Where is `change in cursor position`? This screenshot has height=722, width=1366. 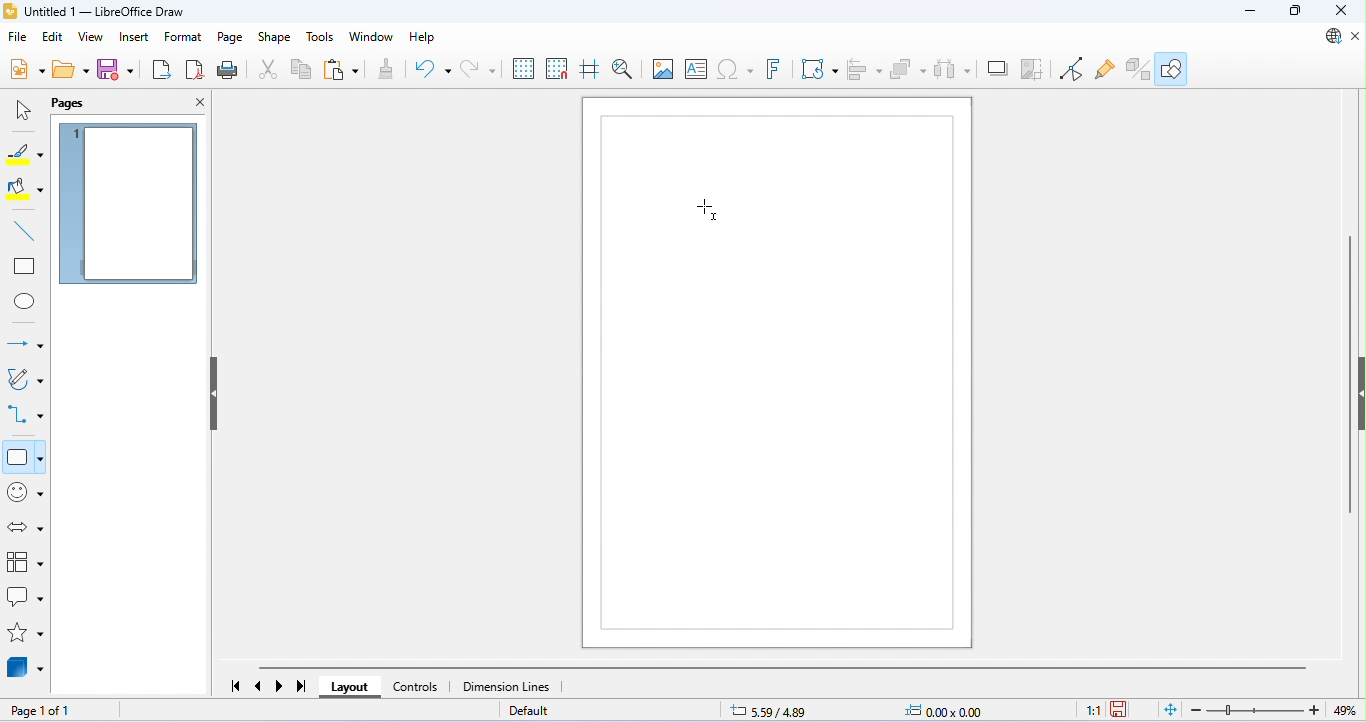
change in cursor position is located at coordinates (769, 710).